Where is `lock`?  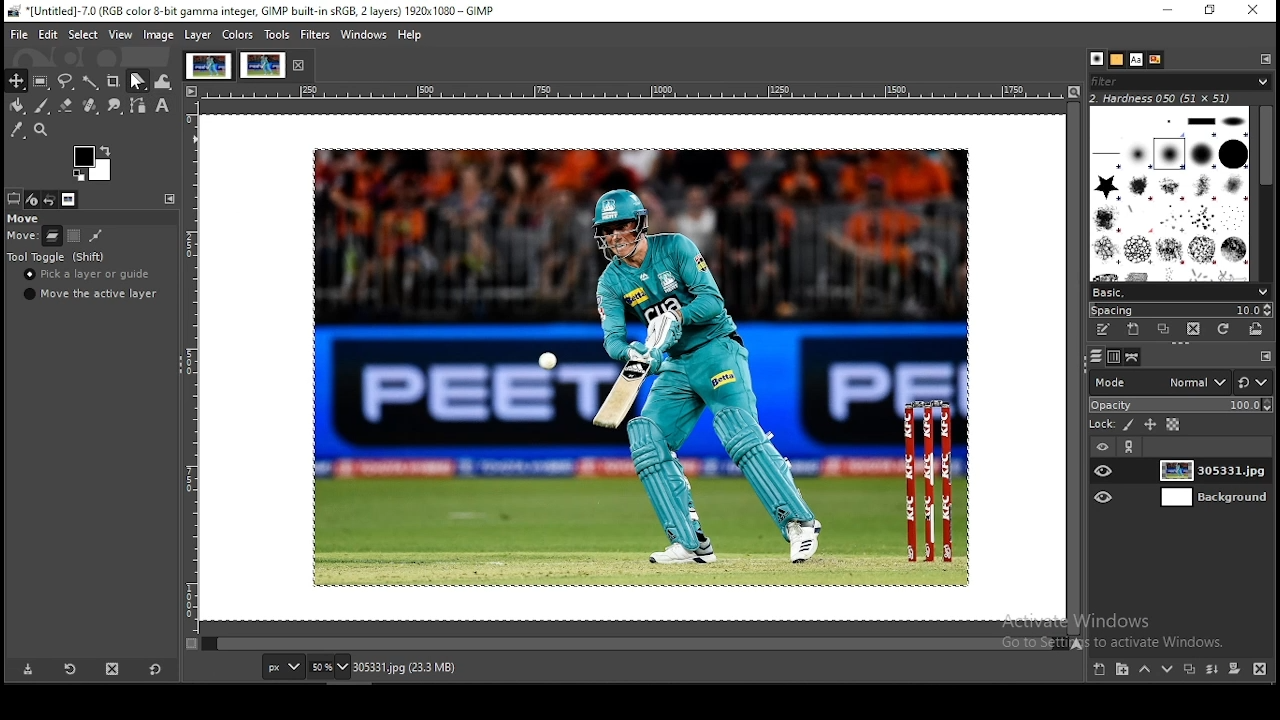 lock is located at coordinates (1096, 426).